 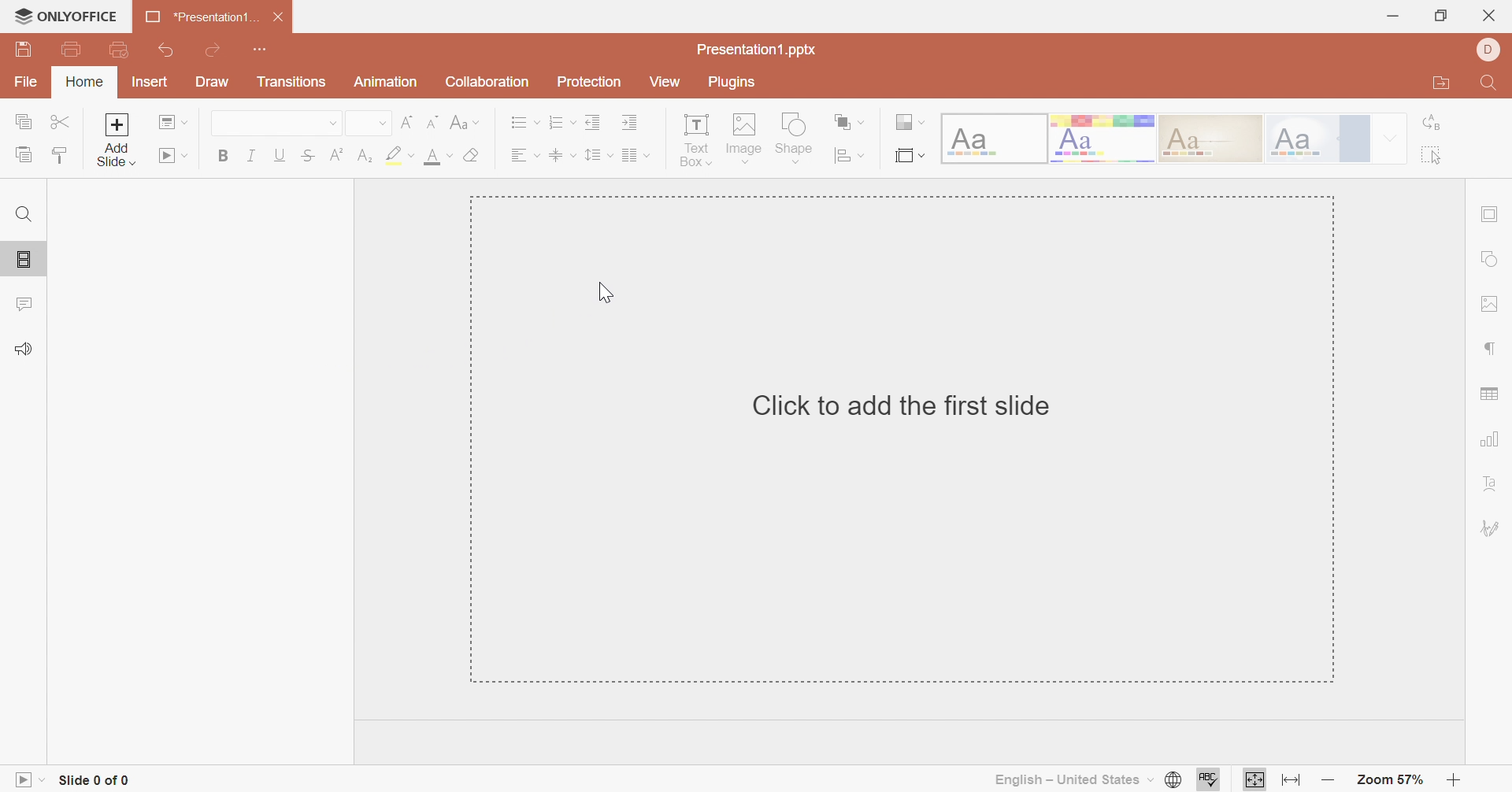 I want to click on Change case, so click(x=458, y=122).